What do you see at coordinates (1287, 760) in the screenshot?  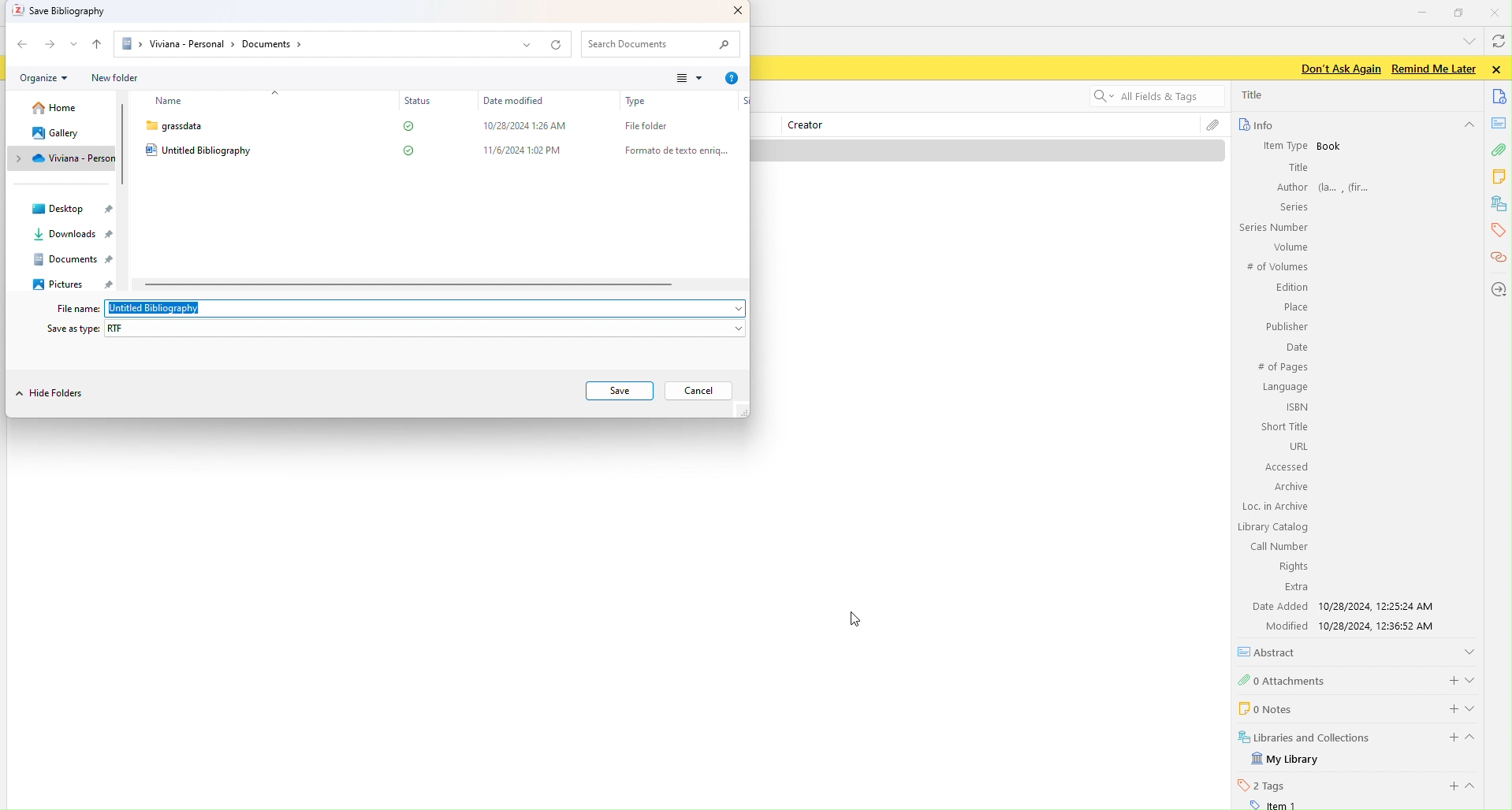 I see `My Library` at bounding box center [1287, 760].